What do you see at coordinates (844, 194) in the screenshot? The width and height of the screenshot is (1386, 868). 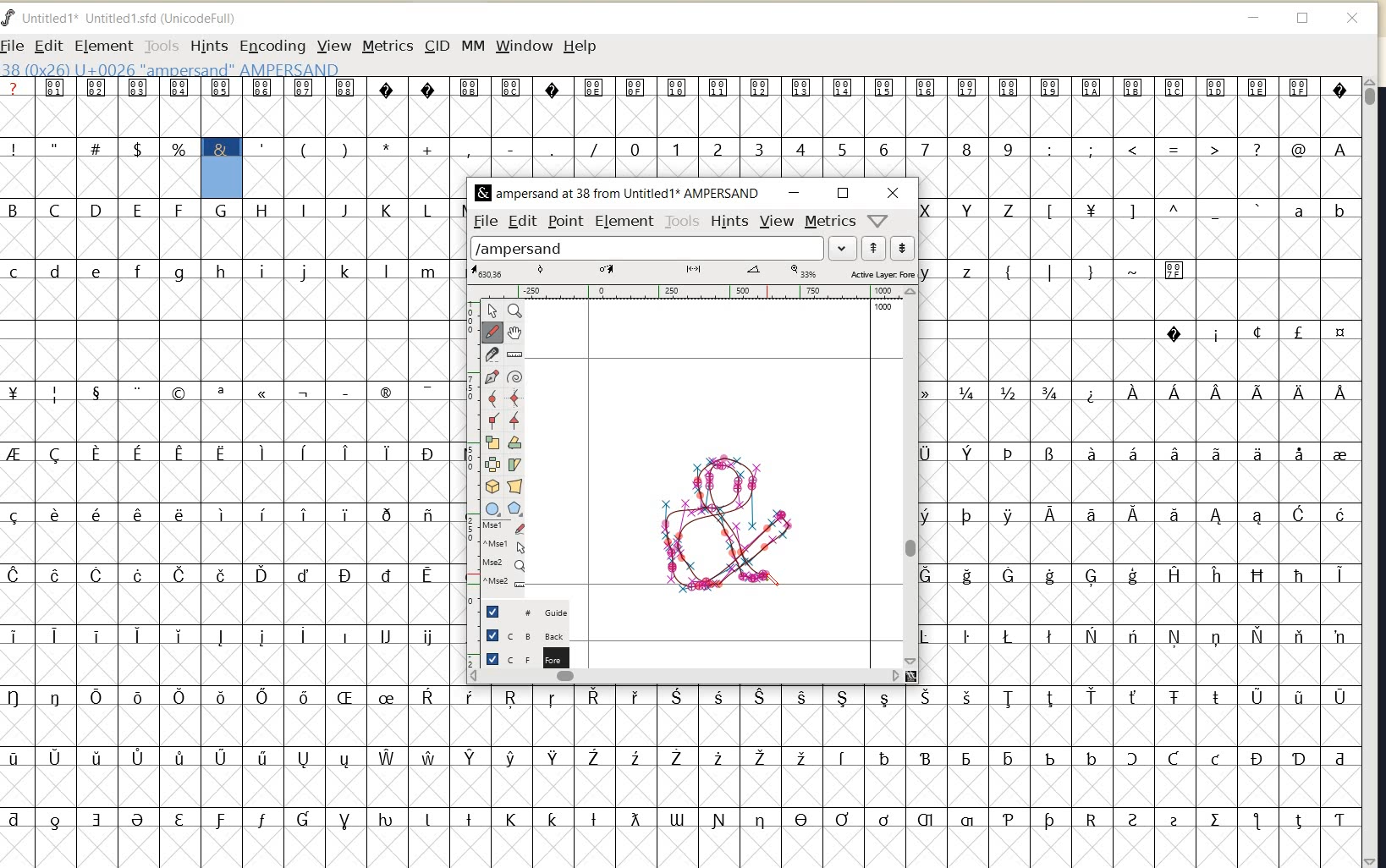 I see `RESTORE` at bounding box center [844, 194].